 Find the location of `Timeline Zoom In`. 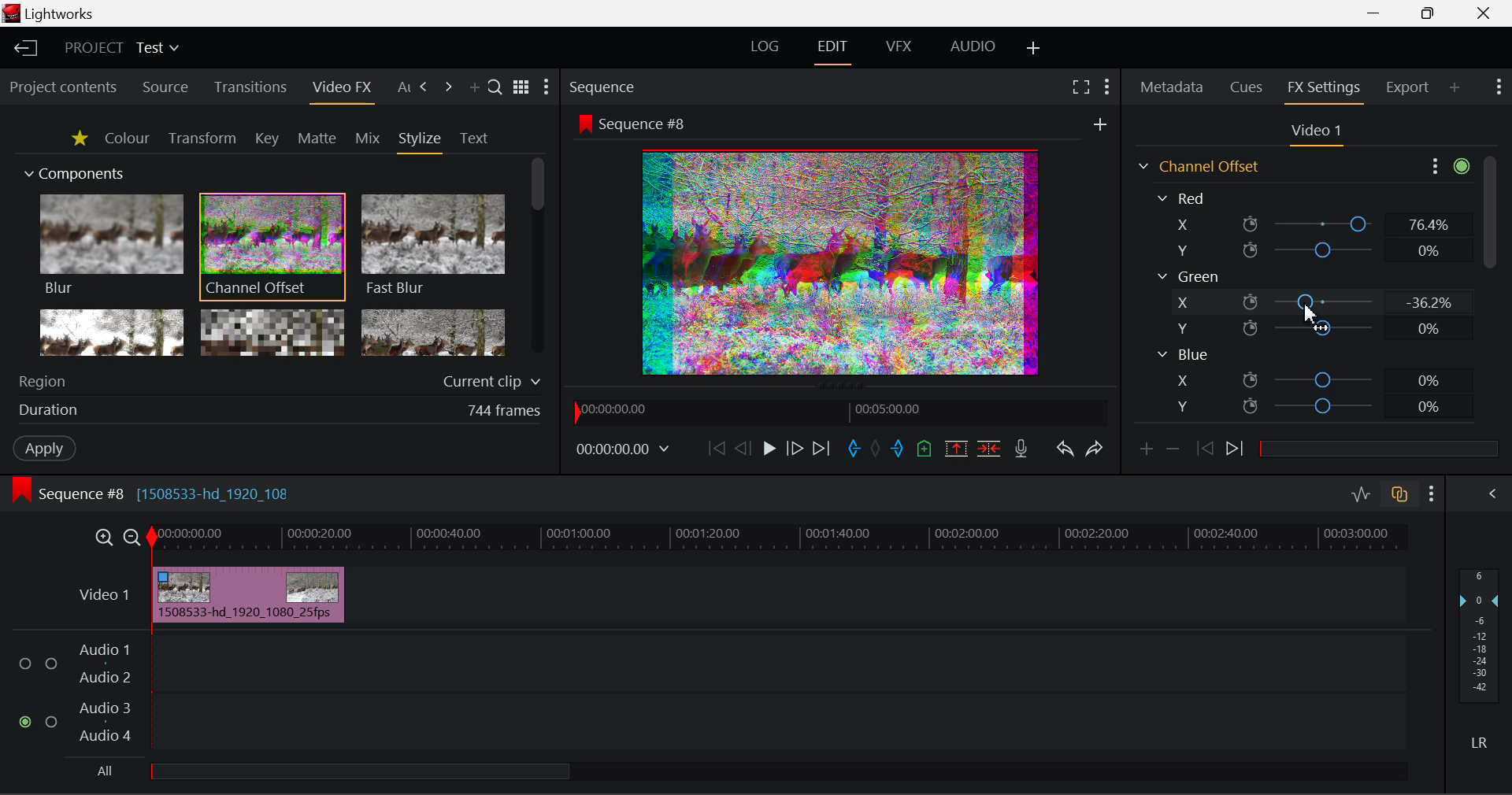

Timeline Zoom In is located at coordinates (103, 539).